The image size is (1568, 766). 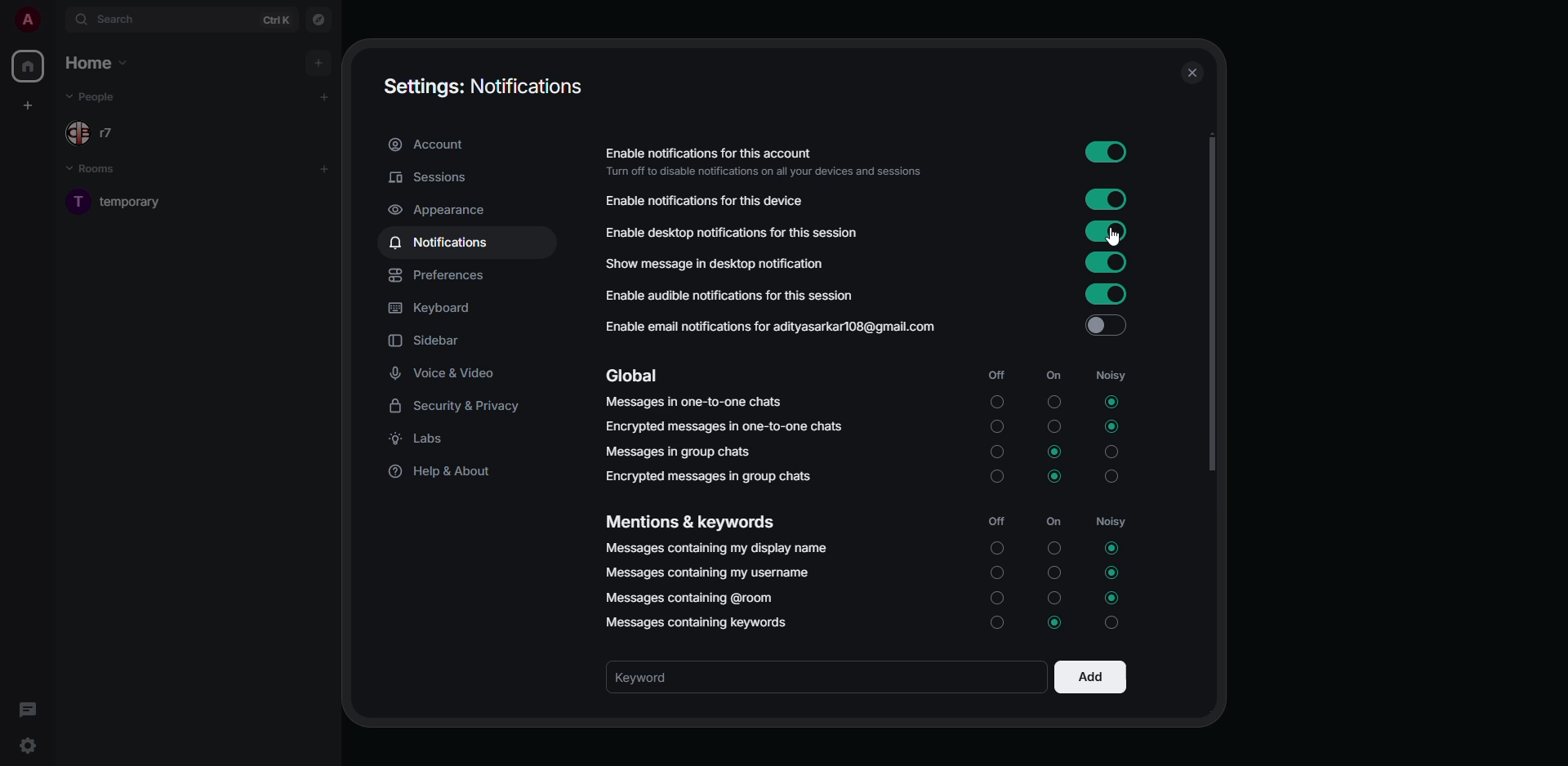 I want to click on help & about, so click(x=443, y=473).